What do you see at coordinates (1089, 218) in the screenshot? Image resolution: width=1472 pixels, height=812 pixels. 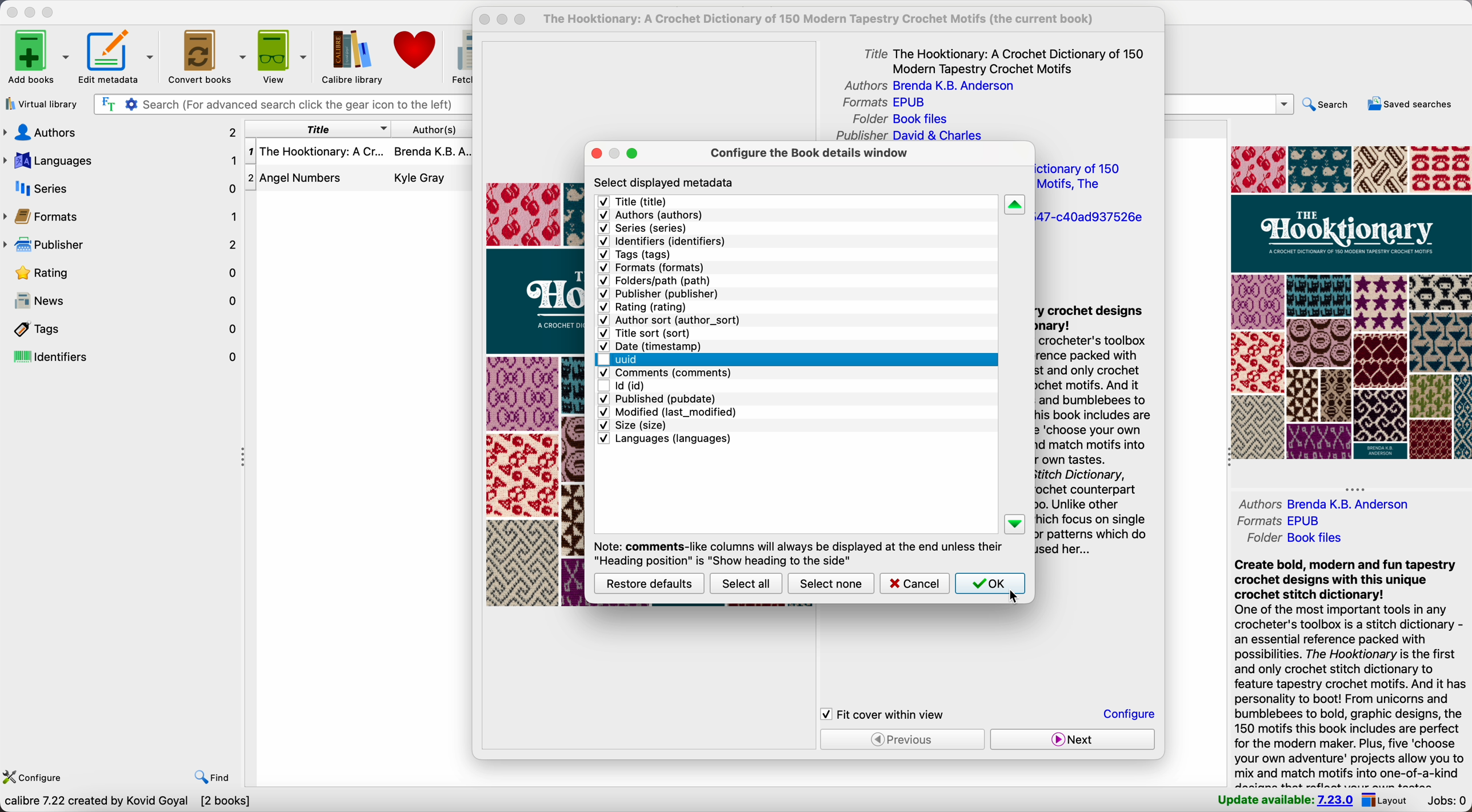 I see `uuid` at bounding box center [1089, 218].